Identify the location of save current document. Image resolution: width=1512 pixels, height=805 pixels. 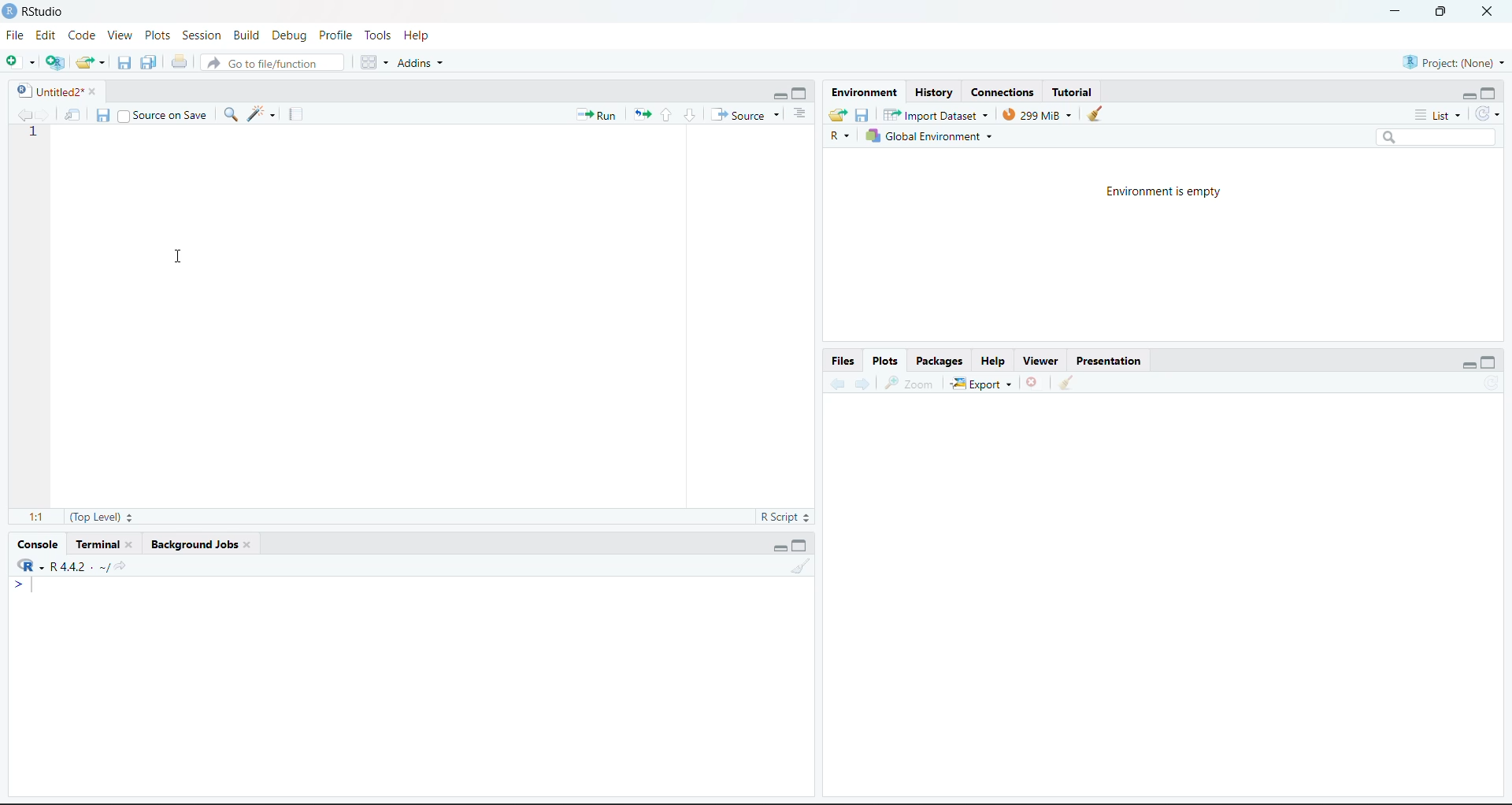
(124, 61).